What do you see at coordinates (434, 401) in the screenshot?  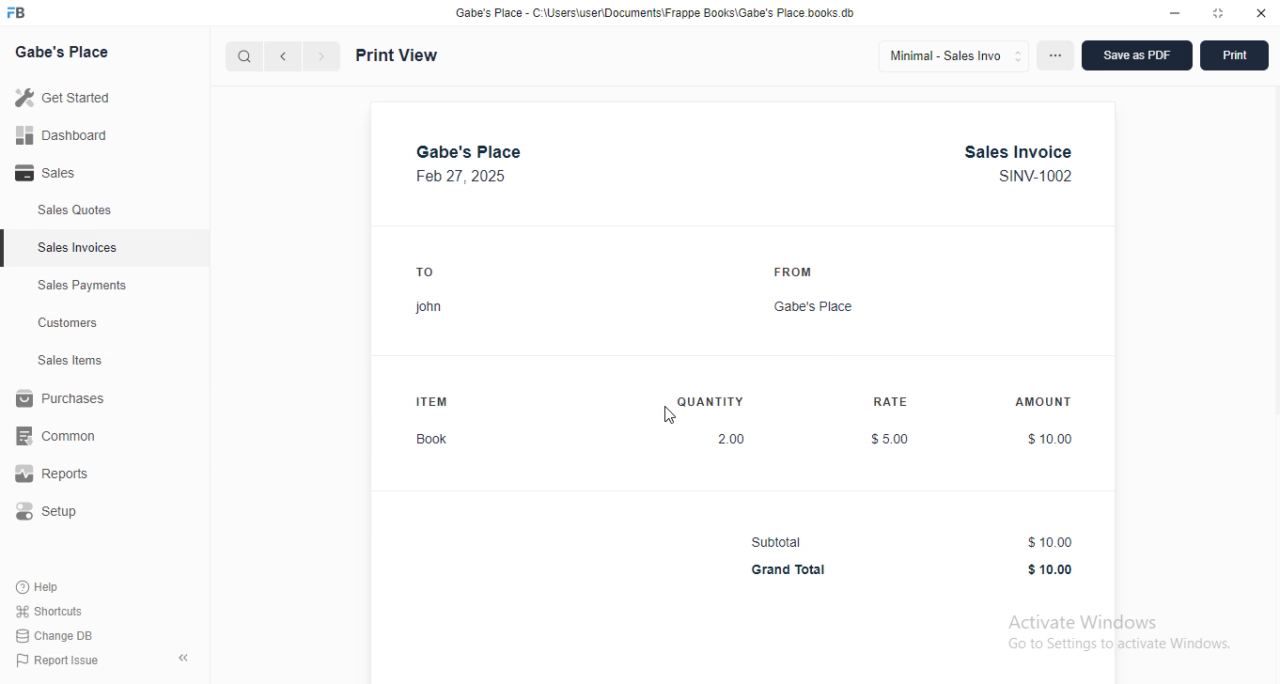 I see `ITEM` at bounding box center [434, 401].